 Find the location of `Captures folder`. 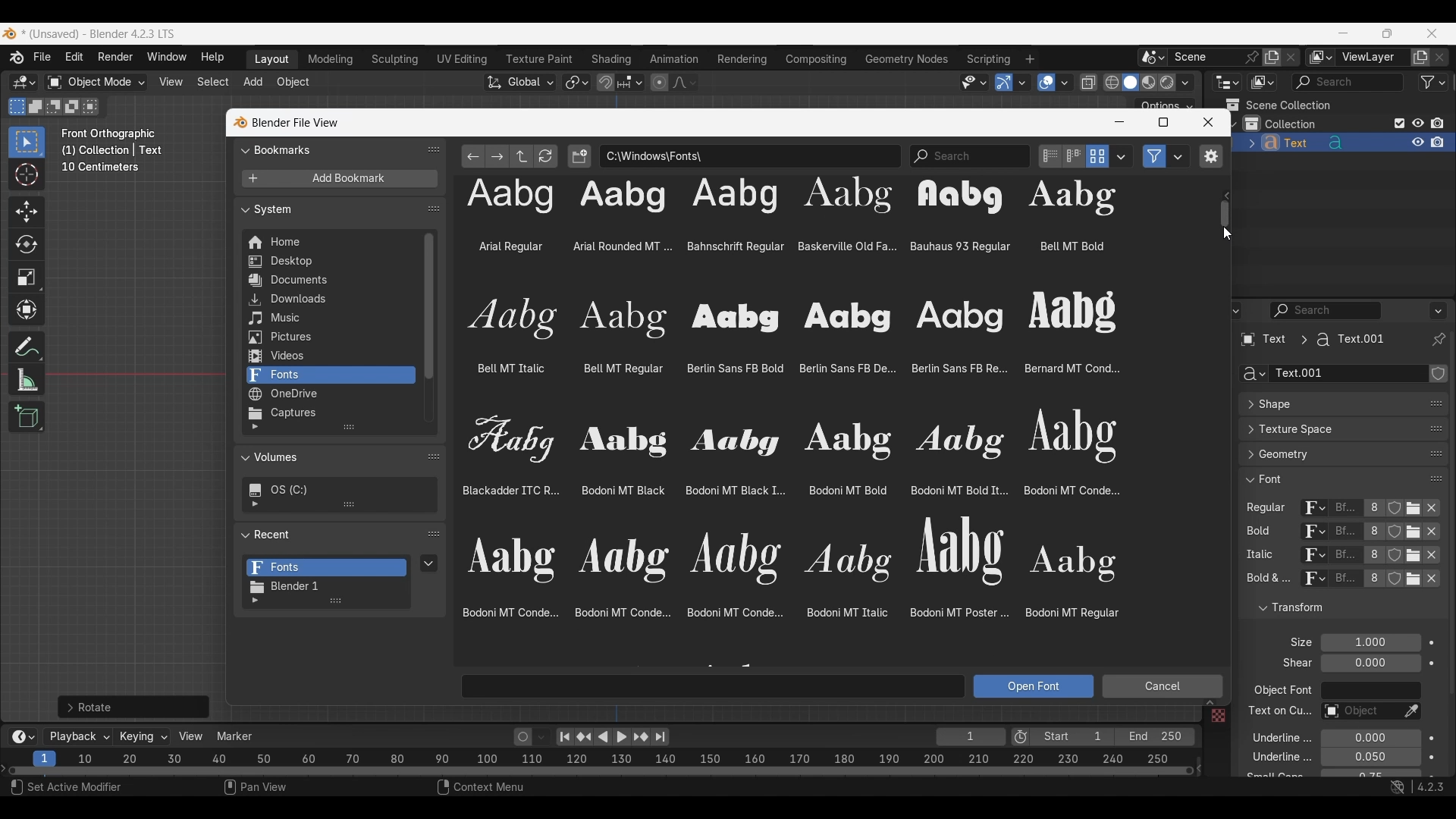

Captures folder is located at coordinates (330, 413).